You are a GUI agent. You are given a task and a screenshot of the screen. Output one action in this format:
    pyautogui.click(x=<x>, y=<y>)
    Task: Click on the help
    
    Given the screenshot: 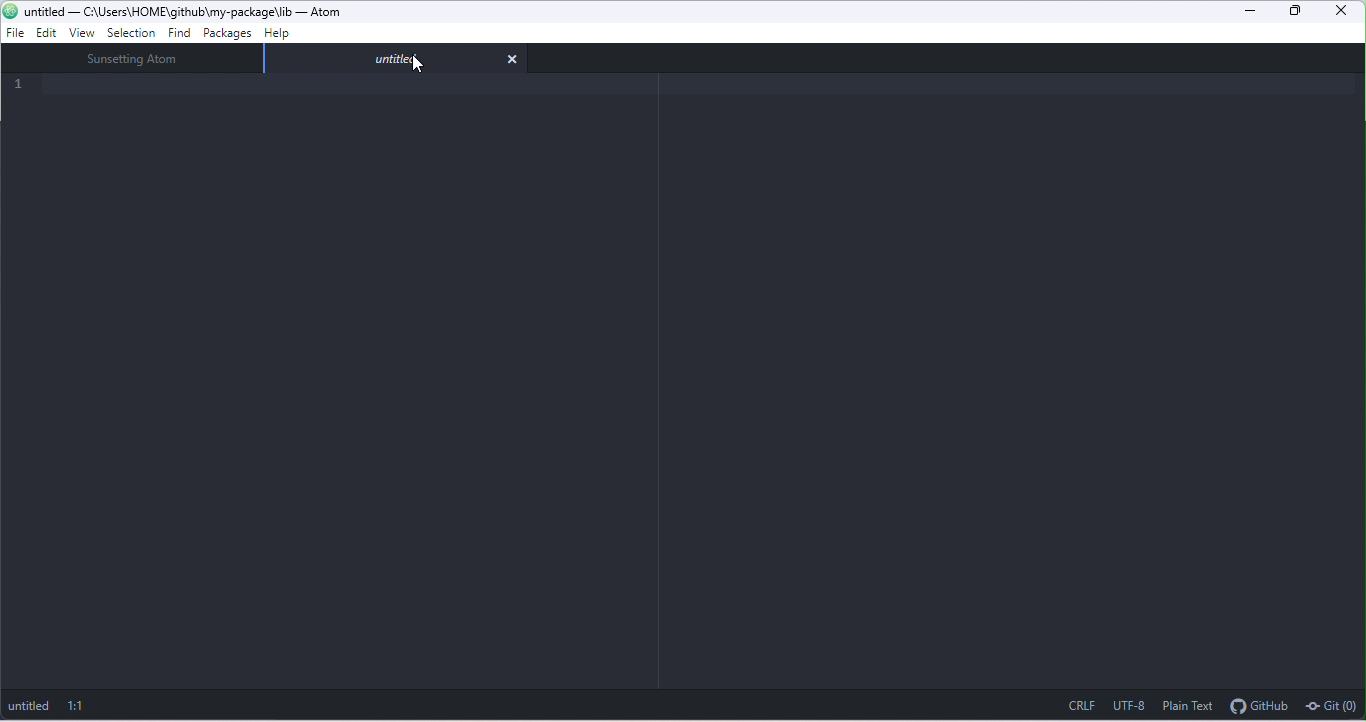 What is the action you would take?
    pyautogui.click(x=277, y=34)
    